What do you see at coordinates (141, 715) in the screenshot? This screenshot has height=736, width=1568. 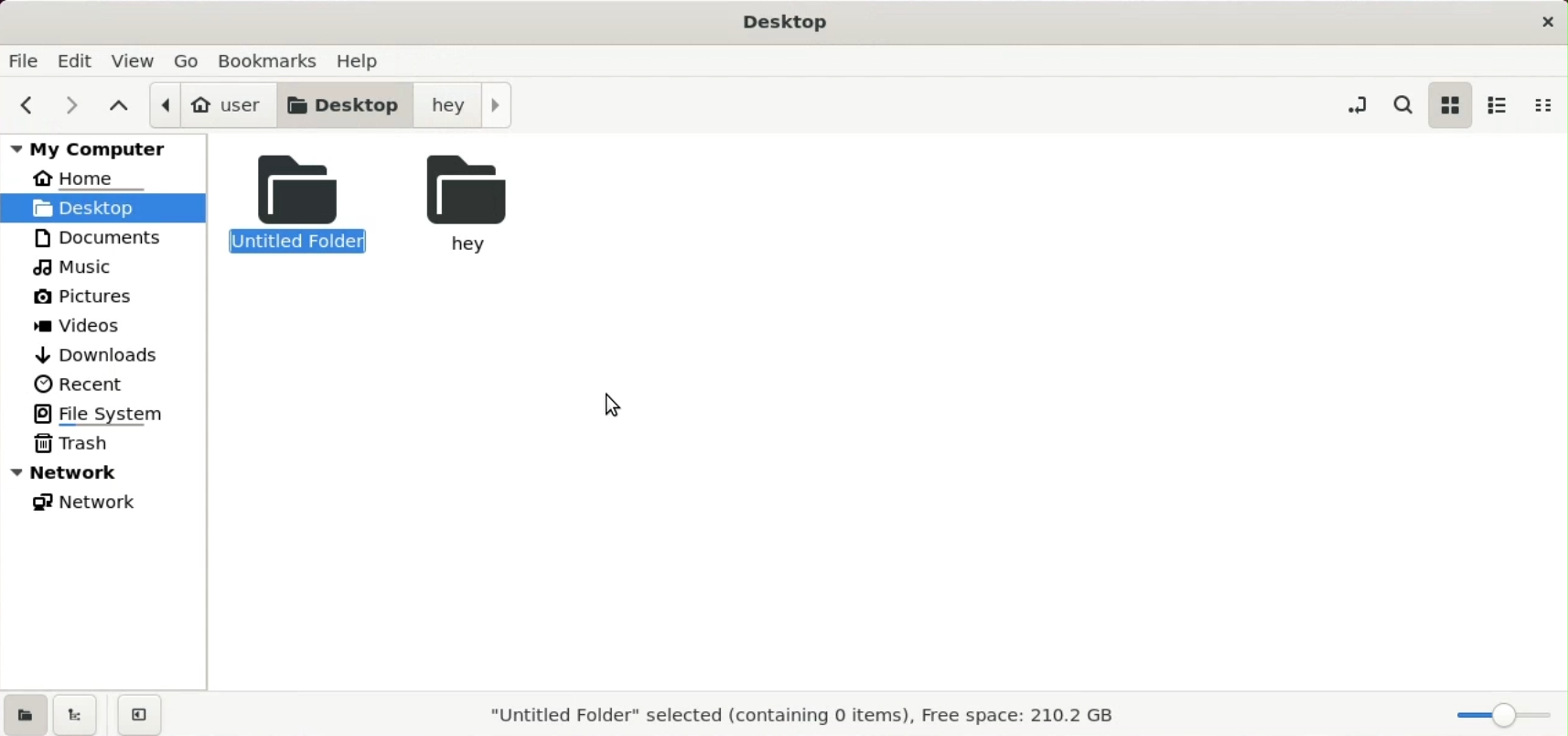 I see `close sidebars` at bounding box center [141, 715].